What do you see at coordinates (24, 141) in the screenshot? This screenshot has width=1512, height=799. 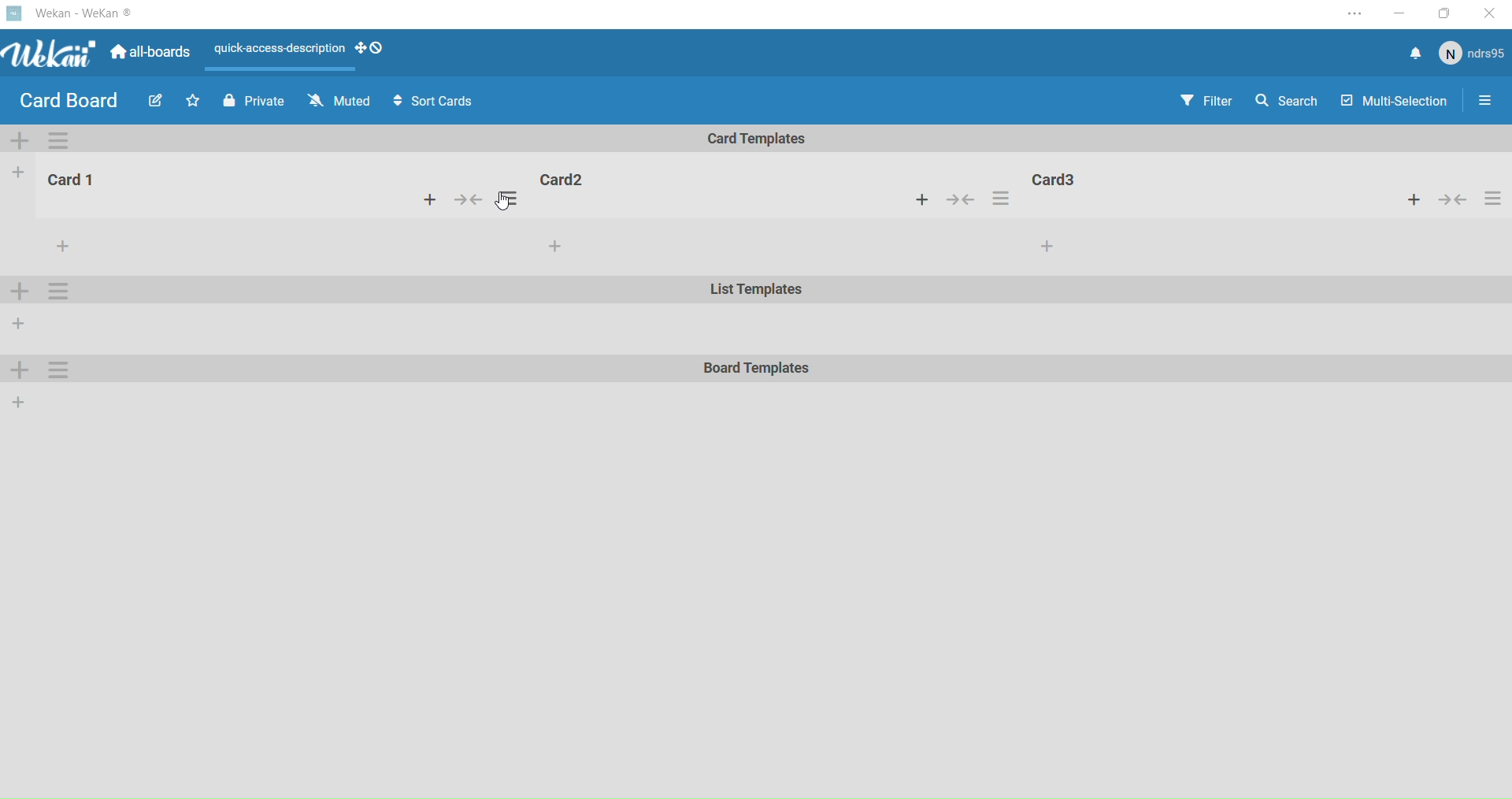 I see `add` at bounding box center [24, 141].